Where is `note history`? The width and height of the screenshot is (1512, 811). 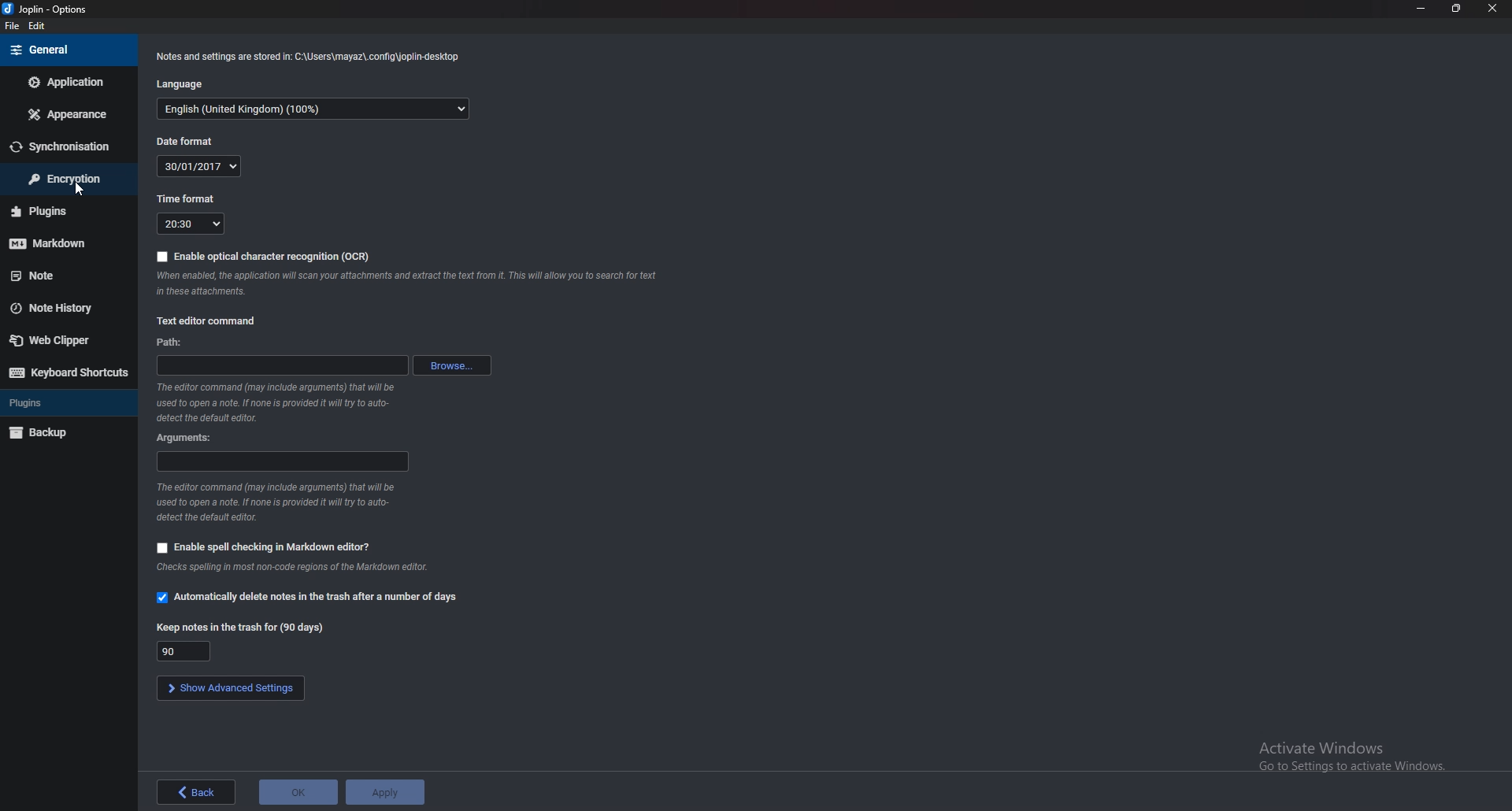
note history is located at coordinates (64, 308).